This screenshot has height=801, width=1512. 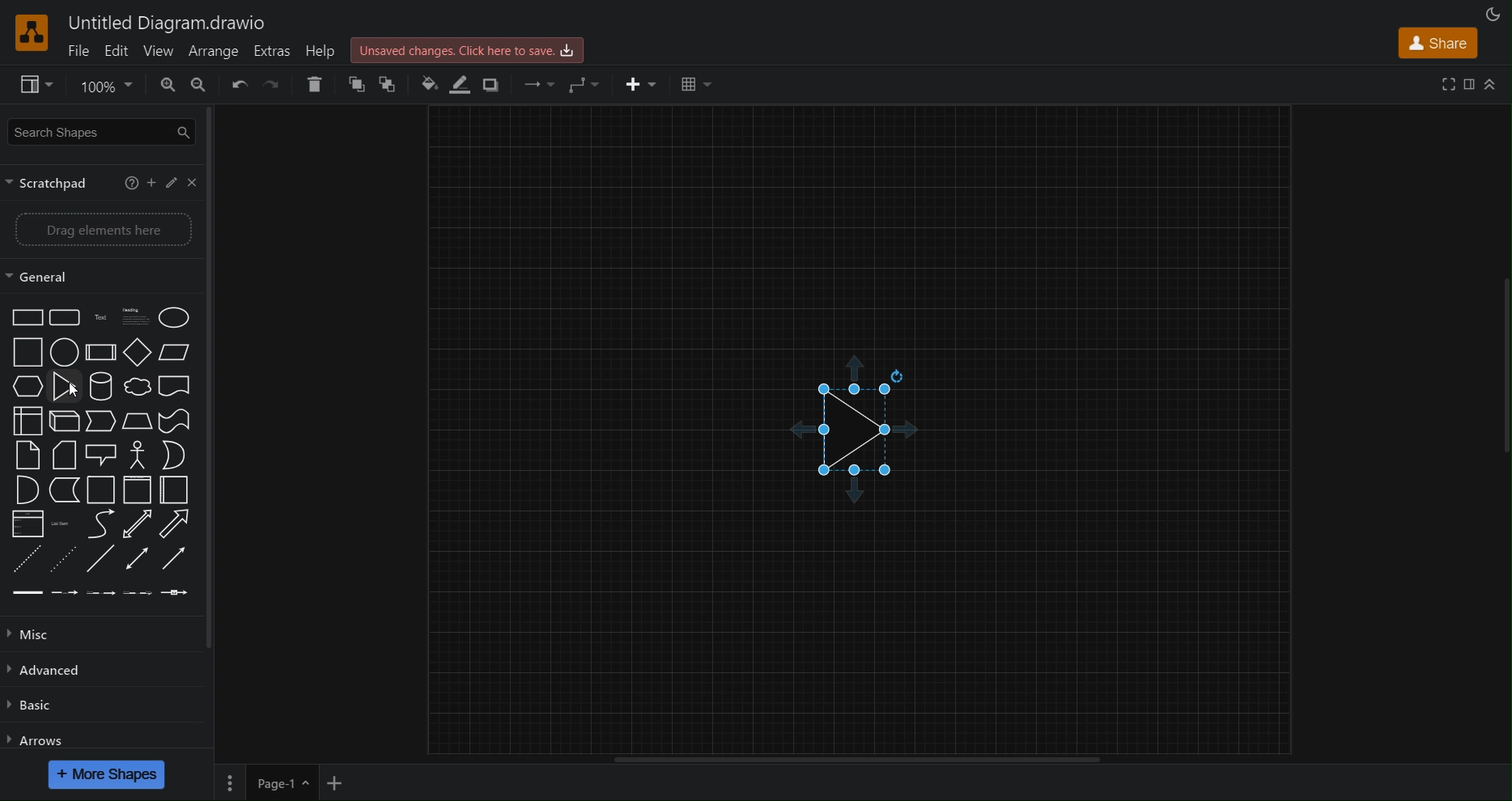 I want to click on Extras, so click(x=274, y=50).